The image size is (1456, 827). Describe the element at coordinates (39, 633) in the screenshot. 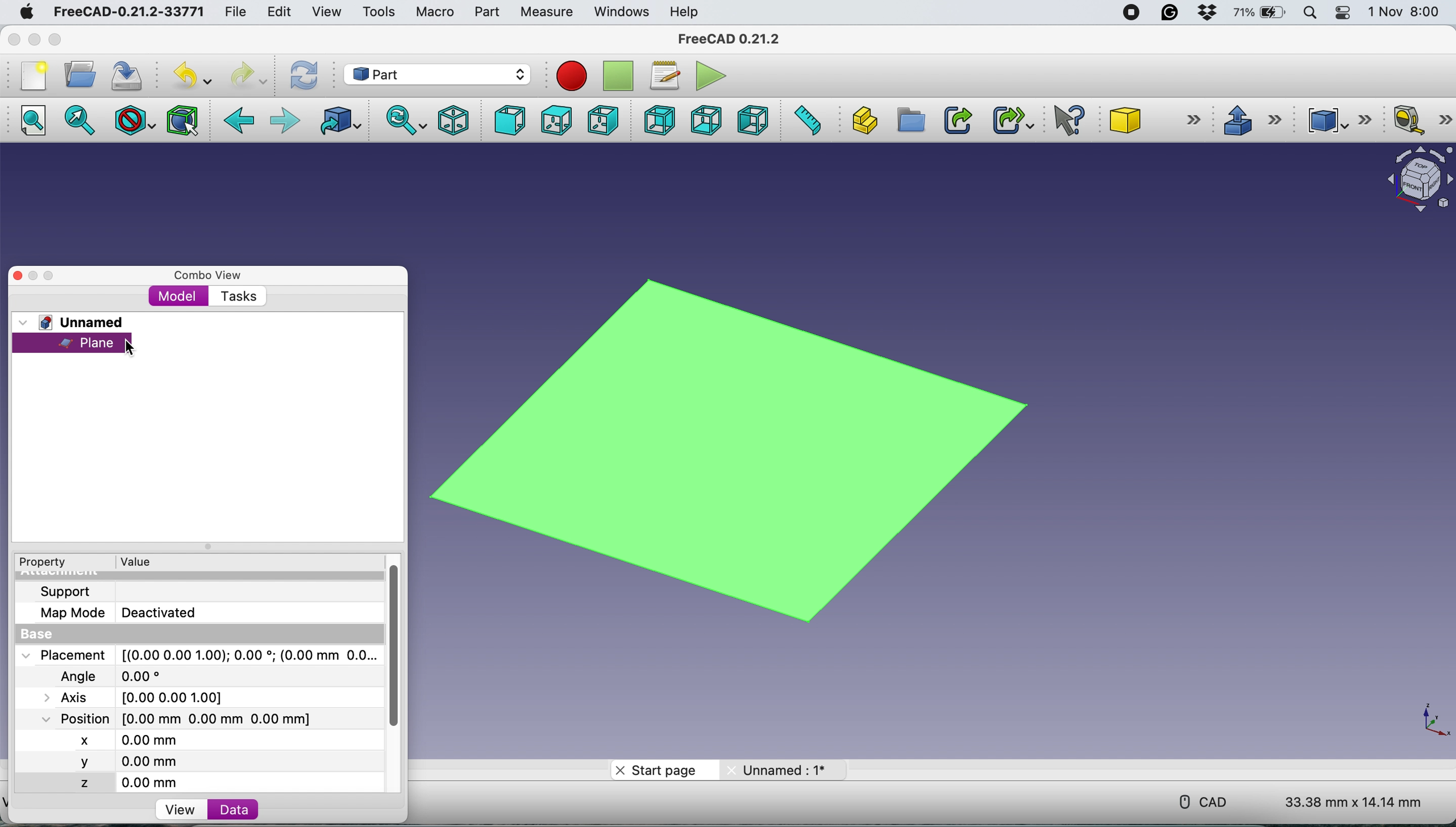

I see `base` at that location.